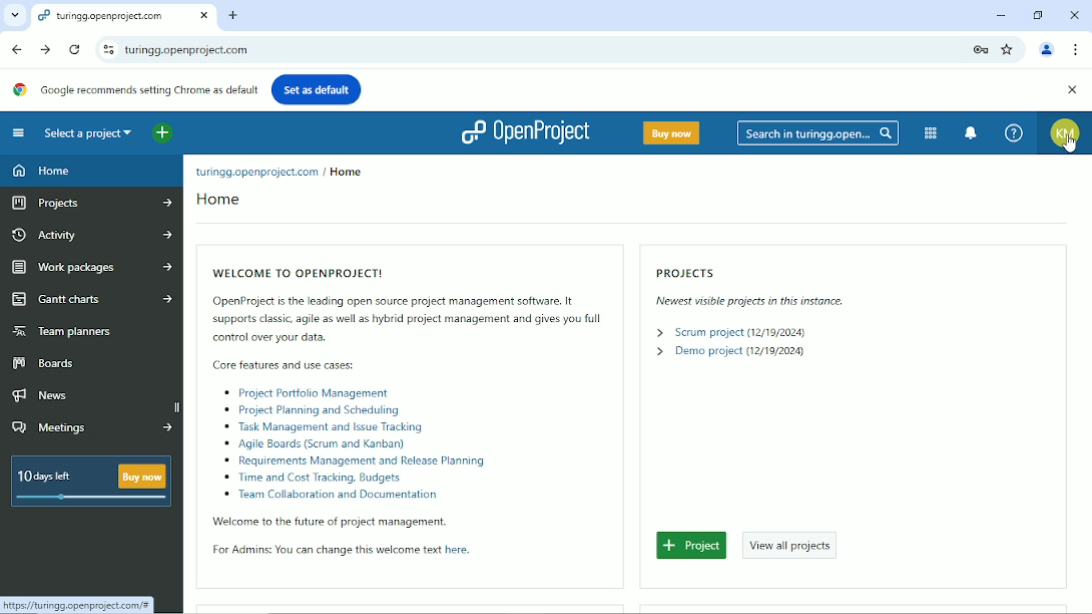  I want to click on Customize and control google chrome, so click(1076, 50).